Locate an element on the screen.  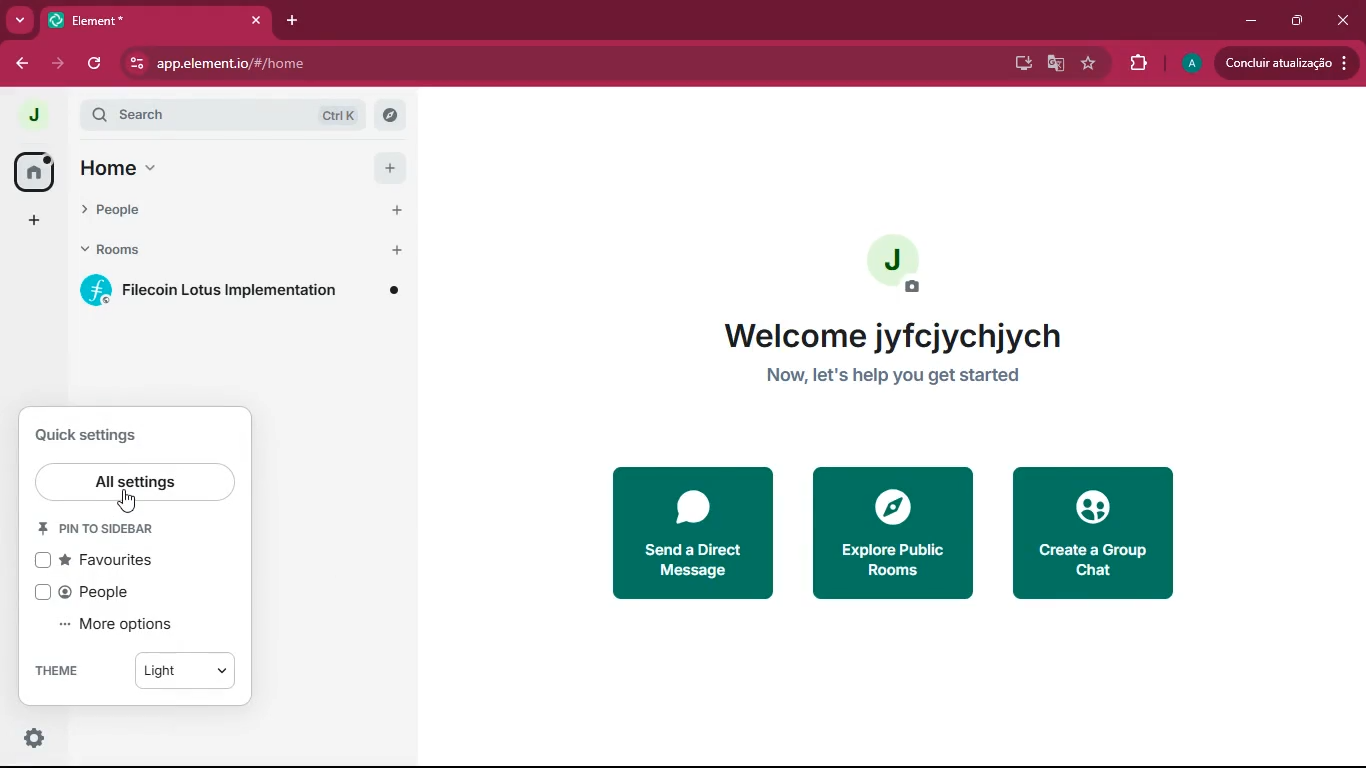
quick settings is located at coordinates (105, 438).